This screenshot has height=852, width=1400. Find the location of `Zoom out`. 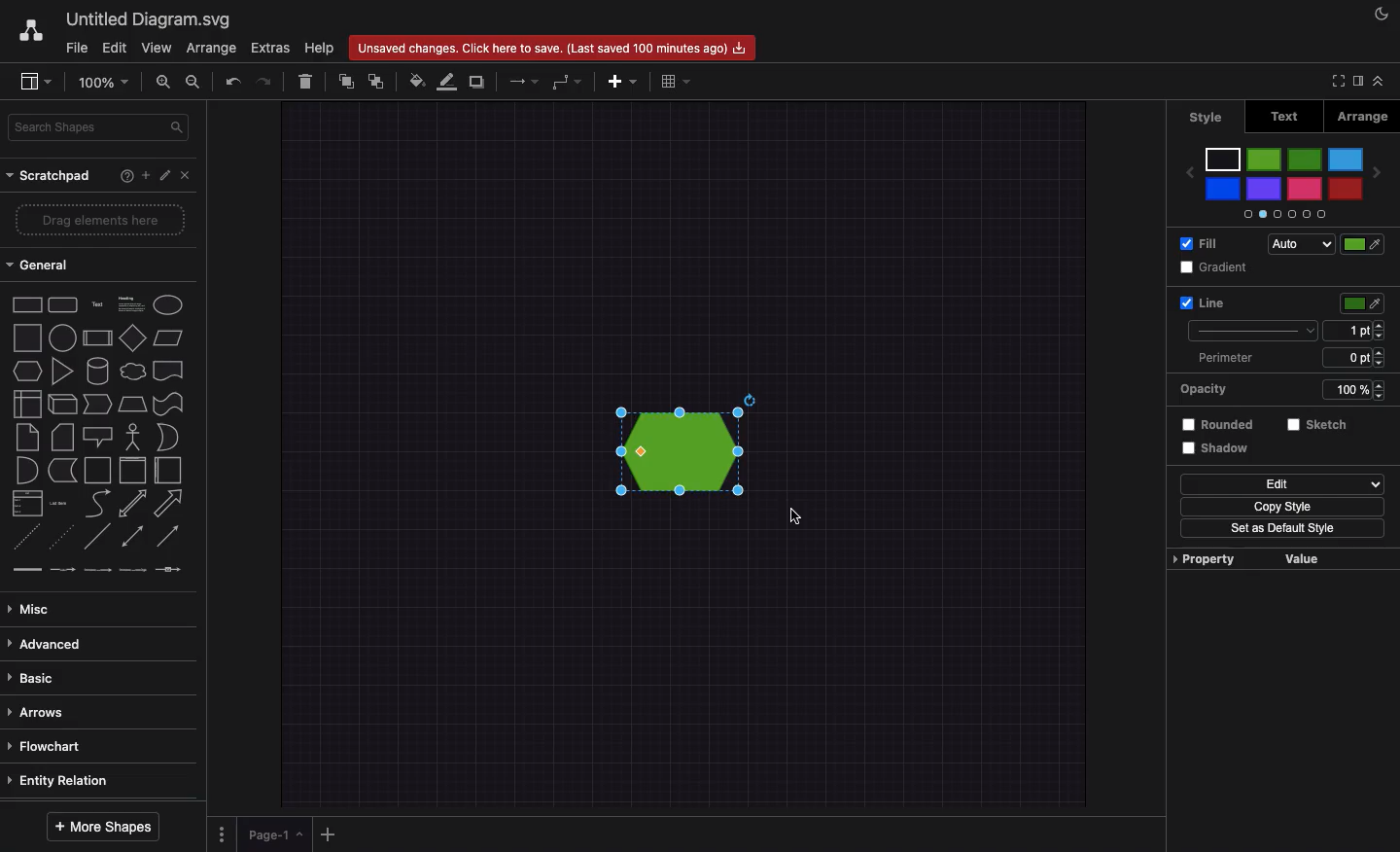

Zoom out is located at coordinates (192, 80).